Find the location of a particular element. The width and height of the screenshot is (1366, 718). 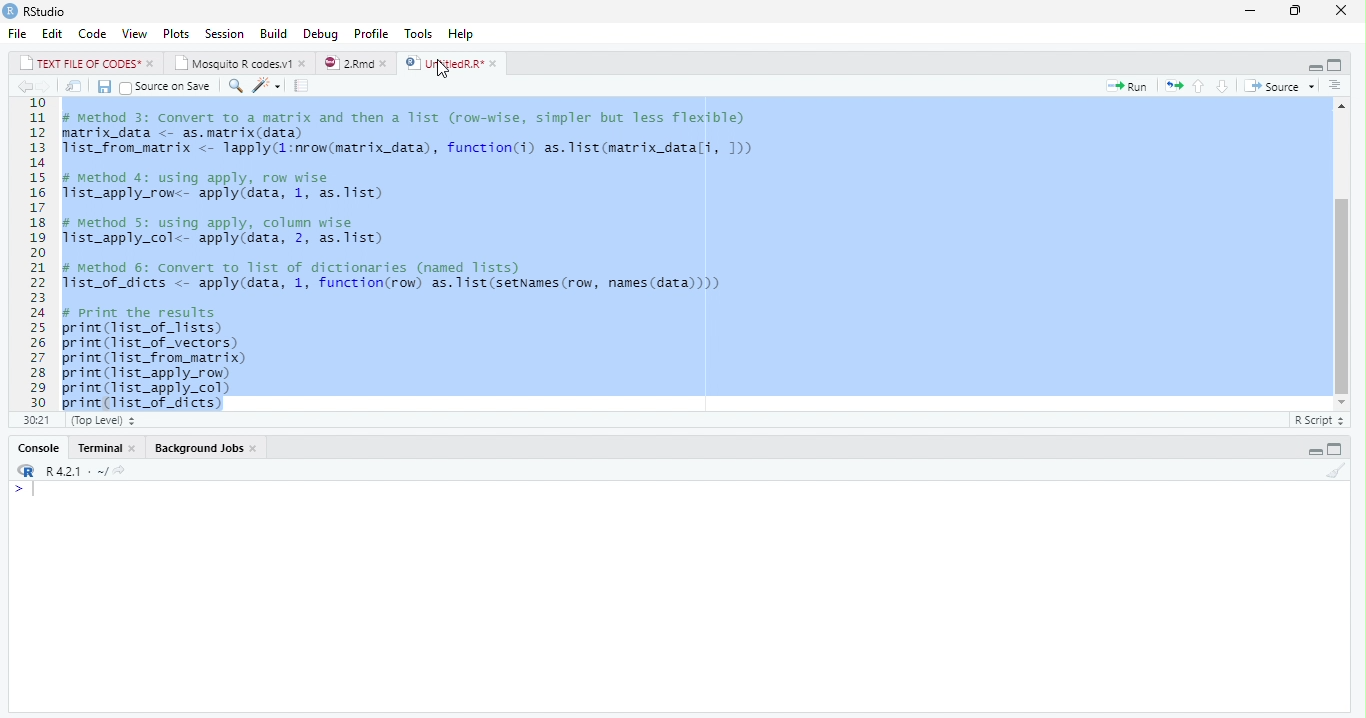

Minimize is located at coordinates (1251, 10).